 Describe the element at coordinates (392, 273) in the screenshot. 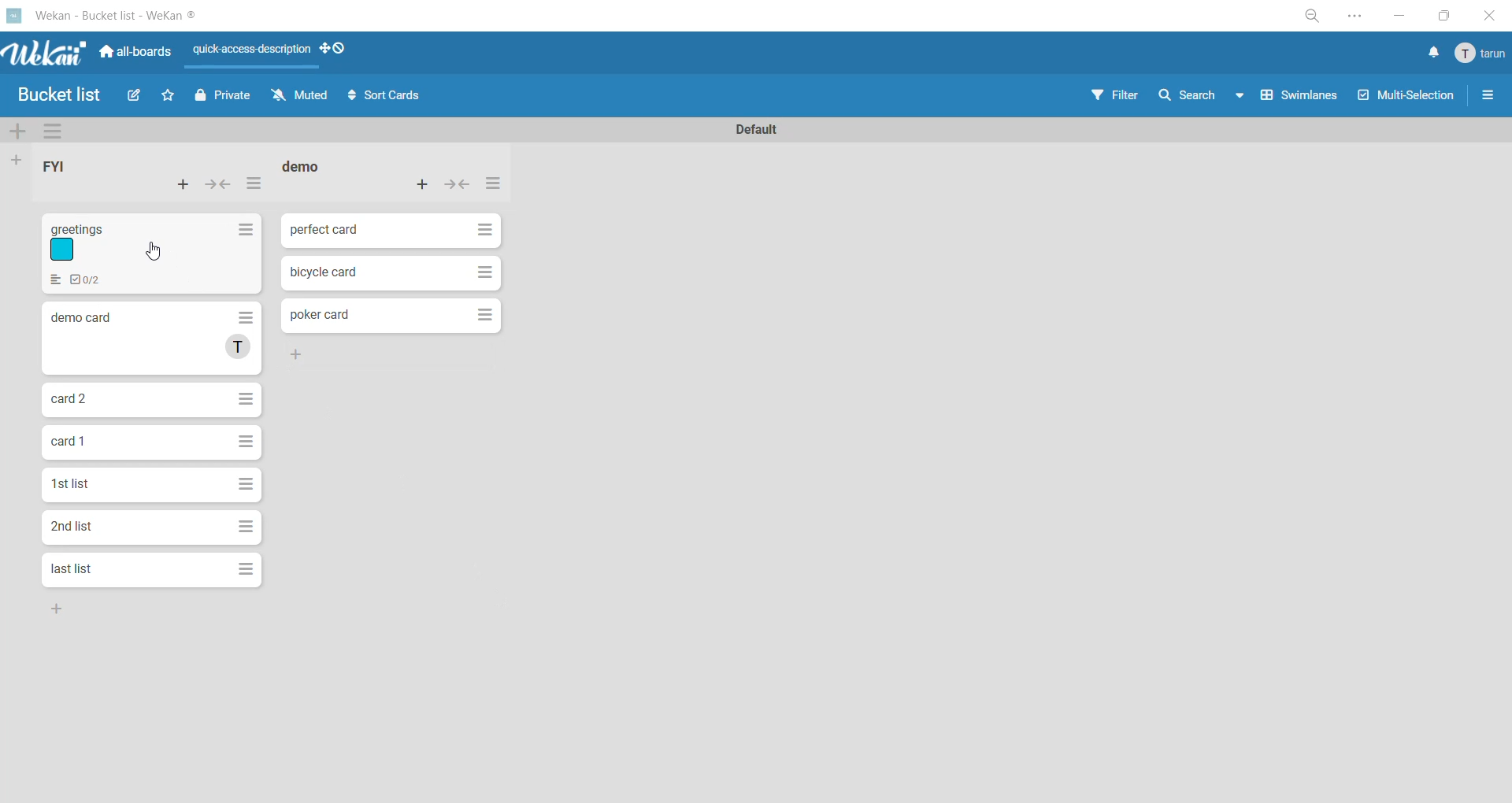

I see `Bicycle card` at that location.